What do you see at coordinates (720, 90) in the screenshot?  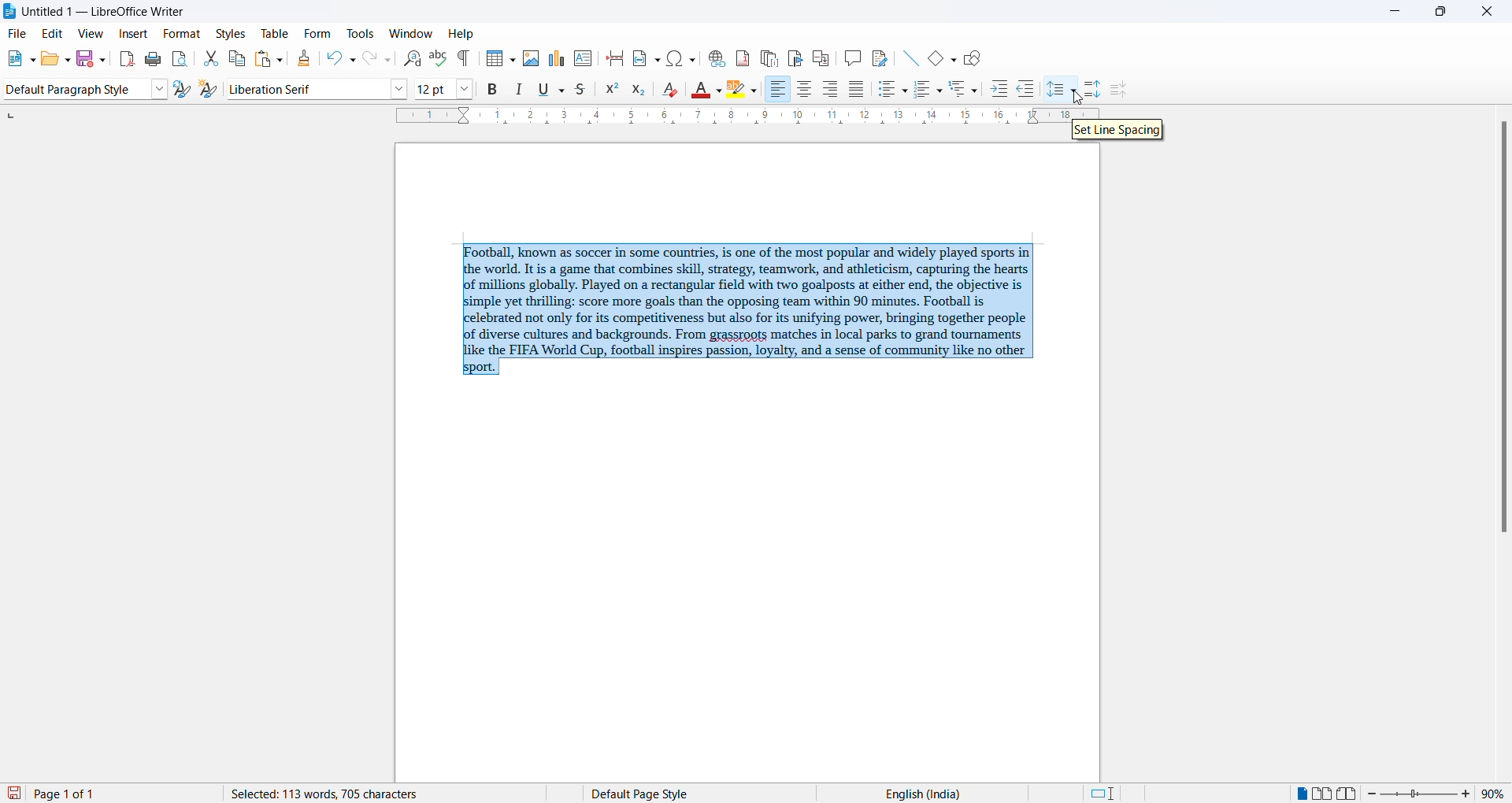 I see `font color options` at bounding box center [720, 90].